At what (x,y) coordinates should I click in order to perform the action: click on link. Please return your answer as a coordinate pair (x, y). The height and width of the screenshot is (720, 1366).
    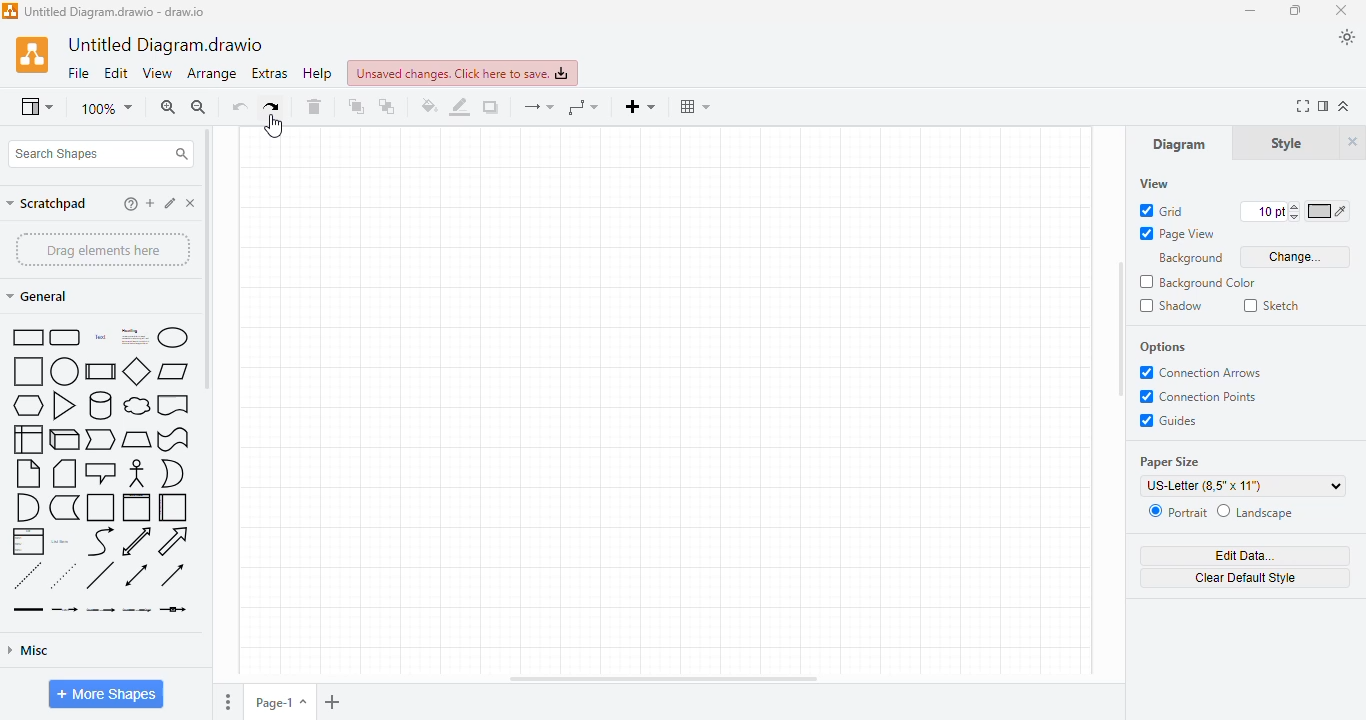
    Looking at the image, I should click on (28, 609).